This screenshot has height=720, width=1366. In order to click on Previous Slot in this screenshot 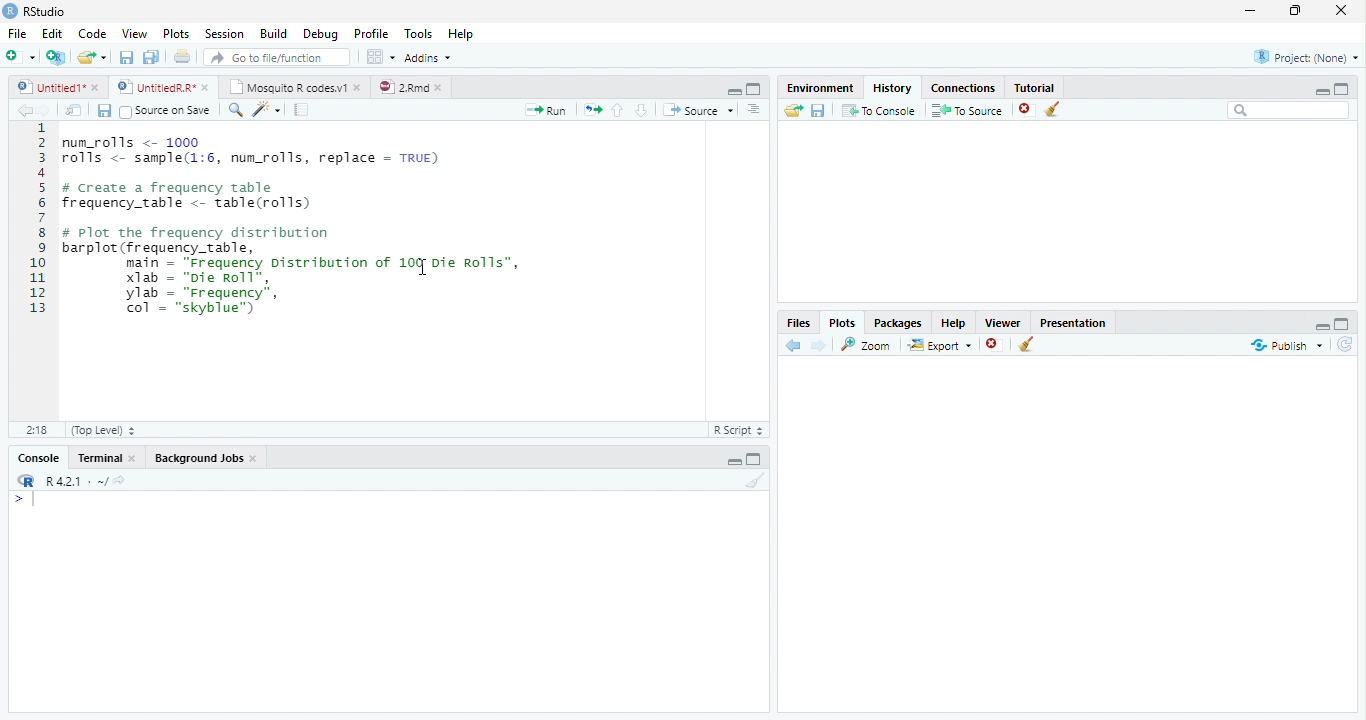, I will do `click(794, 346)`.